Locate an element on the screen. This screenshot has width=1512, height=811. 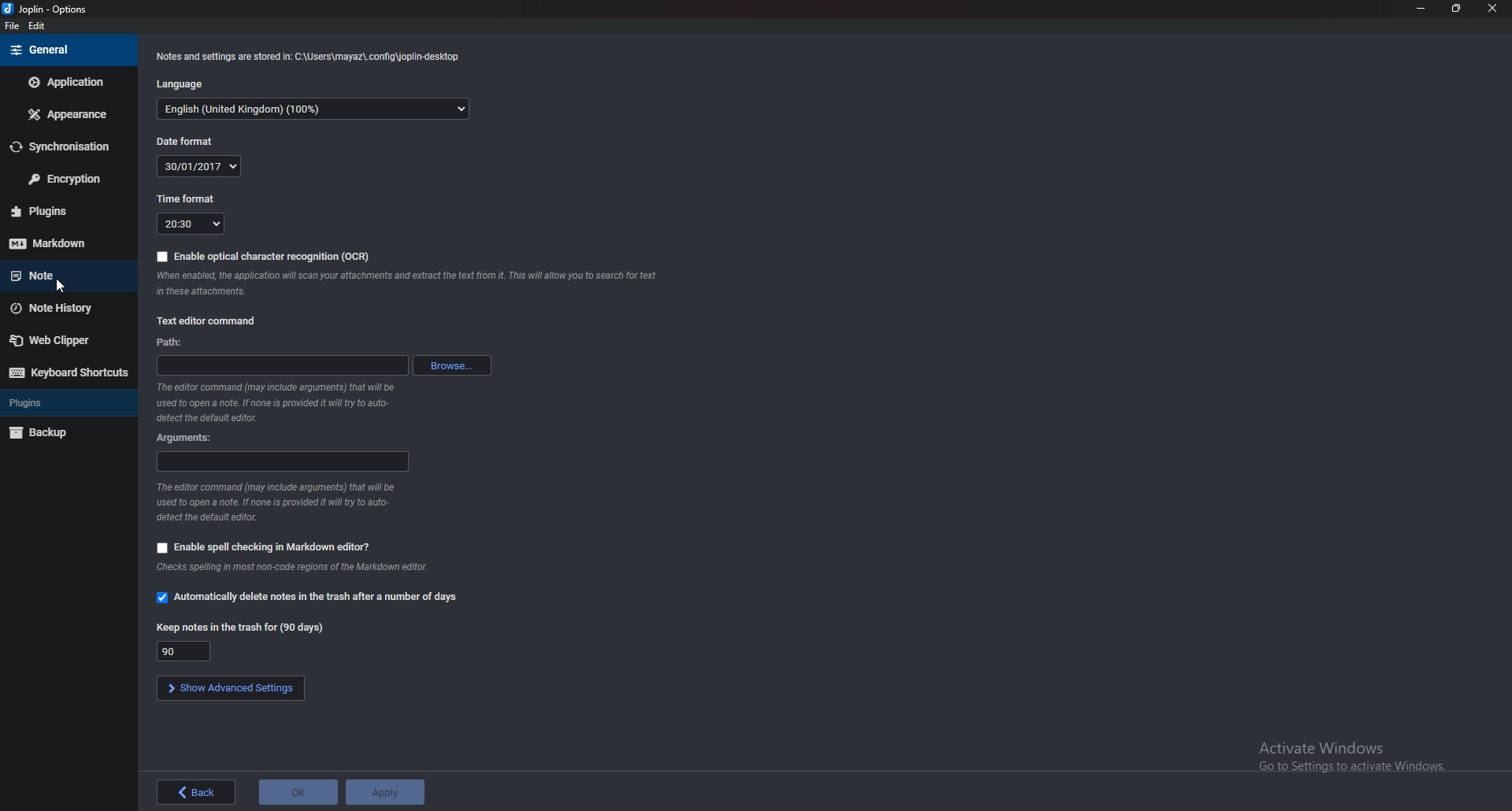
Language is located at coordinates (185, 84).